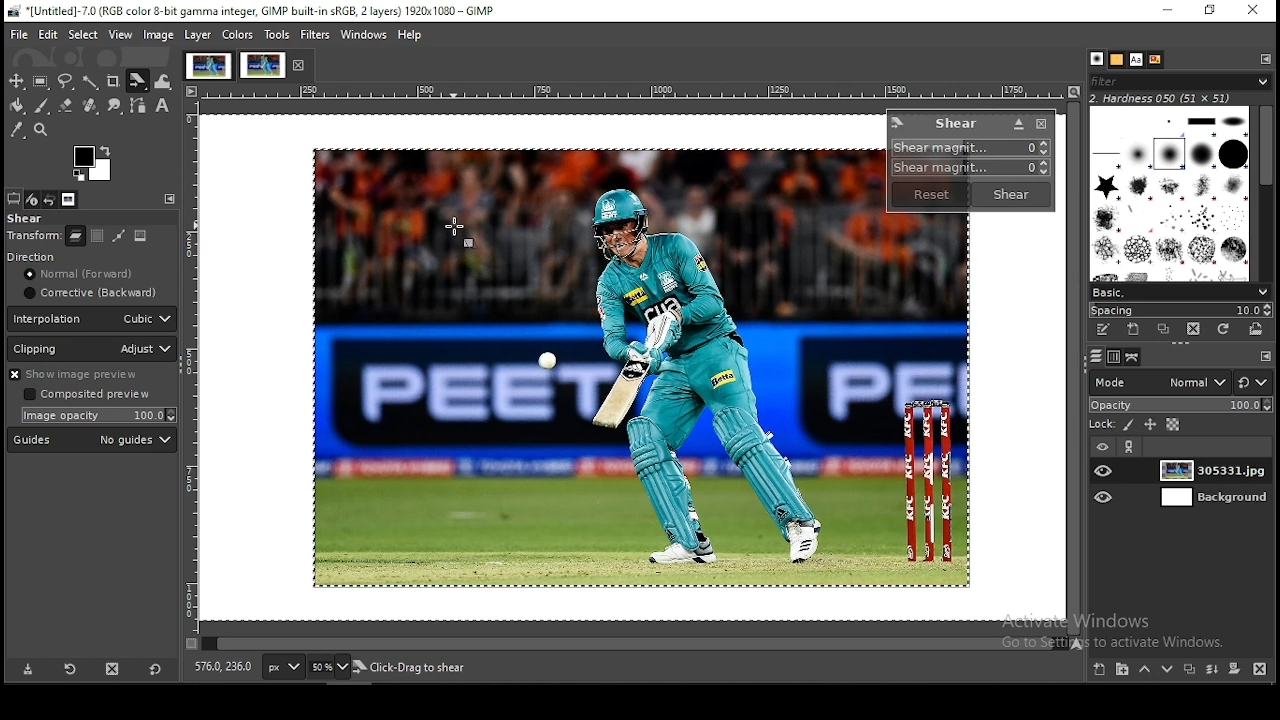  What do you see at coordinates (1255, 331) in the screenshot?
I see `open brush as image` at bounding box center [1255, 331].